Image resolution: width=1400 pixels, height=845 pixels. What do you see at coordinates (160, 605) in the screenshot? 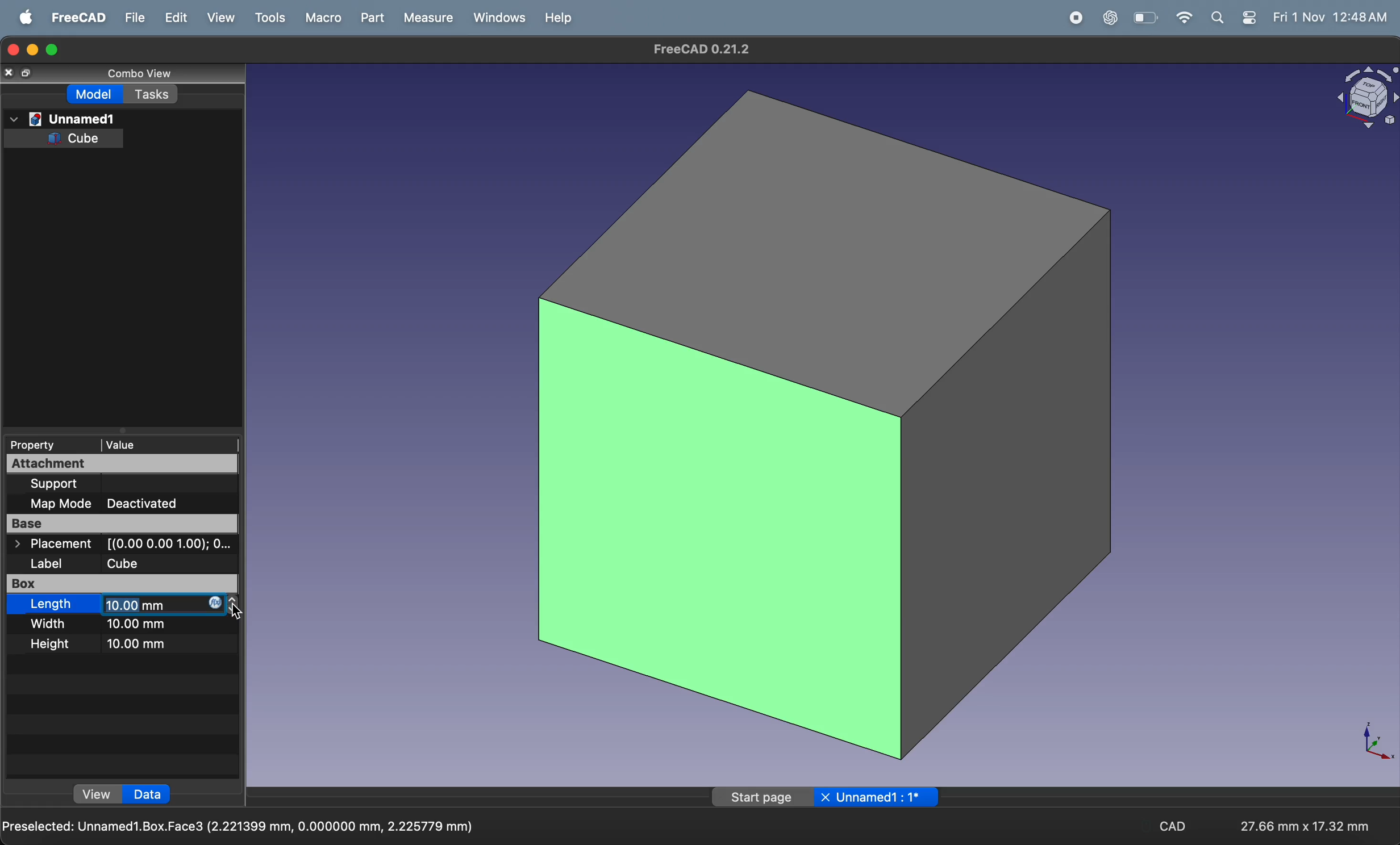
I see `10mm` at bounding box center [160, 605].